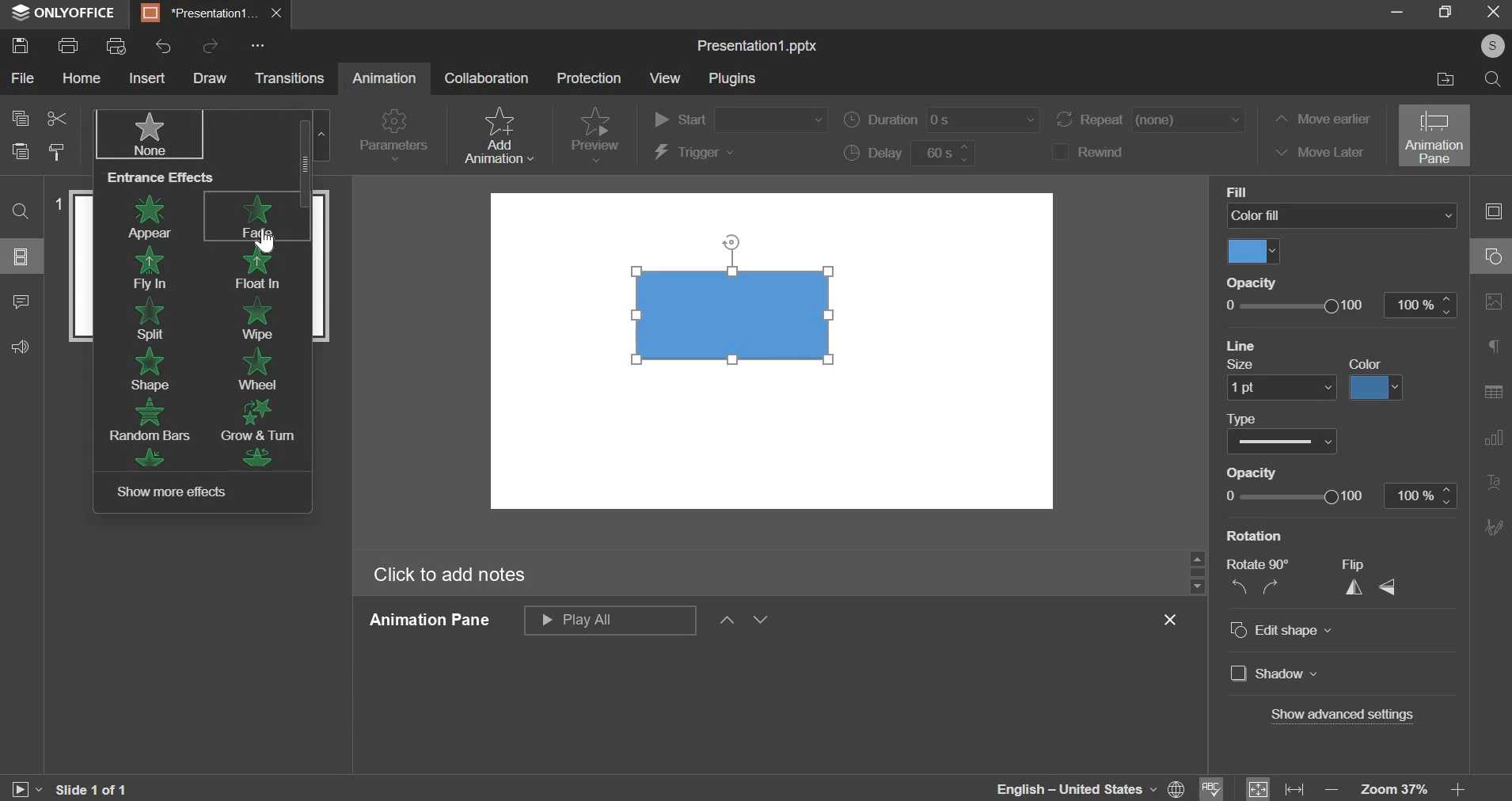 Image resolution: width=1512 pixels, height=801 pixels. What do you see at coordinates (146, 134) in the screenshot?
I see `none` at bounding box center [146, 134].